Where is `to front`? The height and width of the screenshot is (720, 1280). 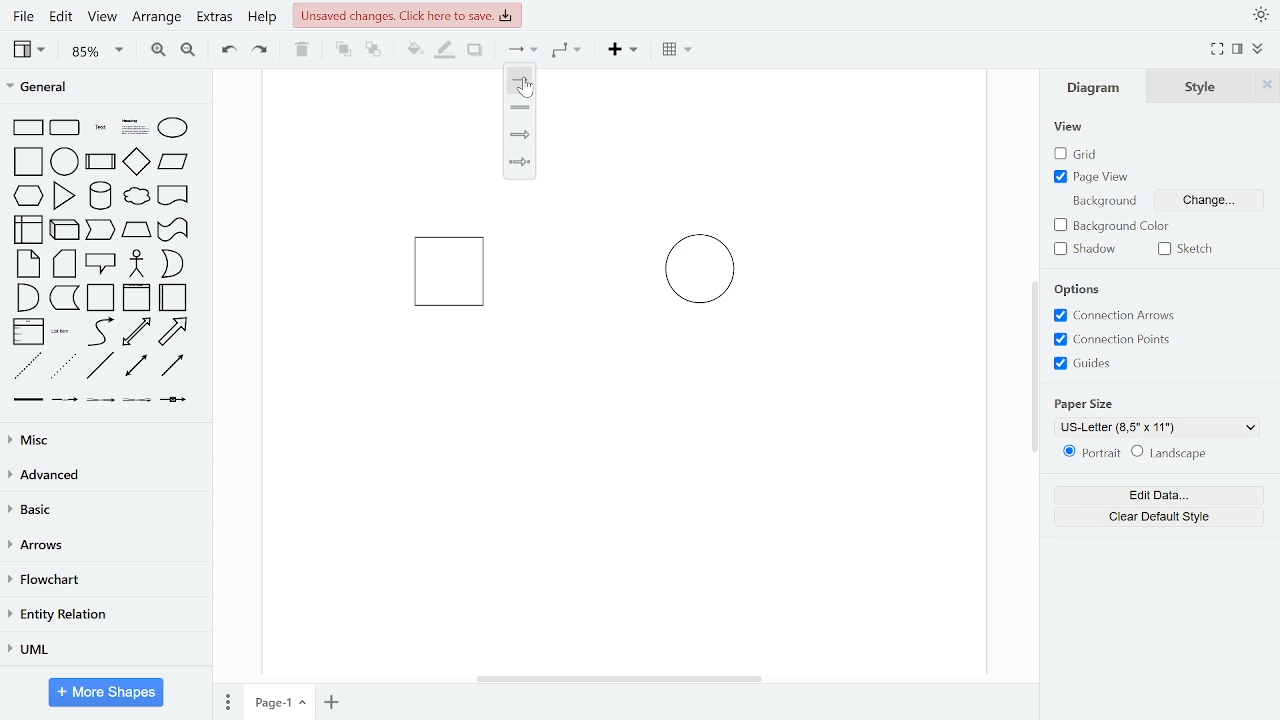
to front is located at coordinates (343, 50).